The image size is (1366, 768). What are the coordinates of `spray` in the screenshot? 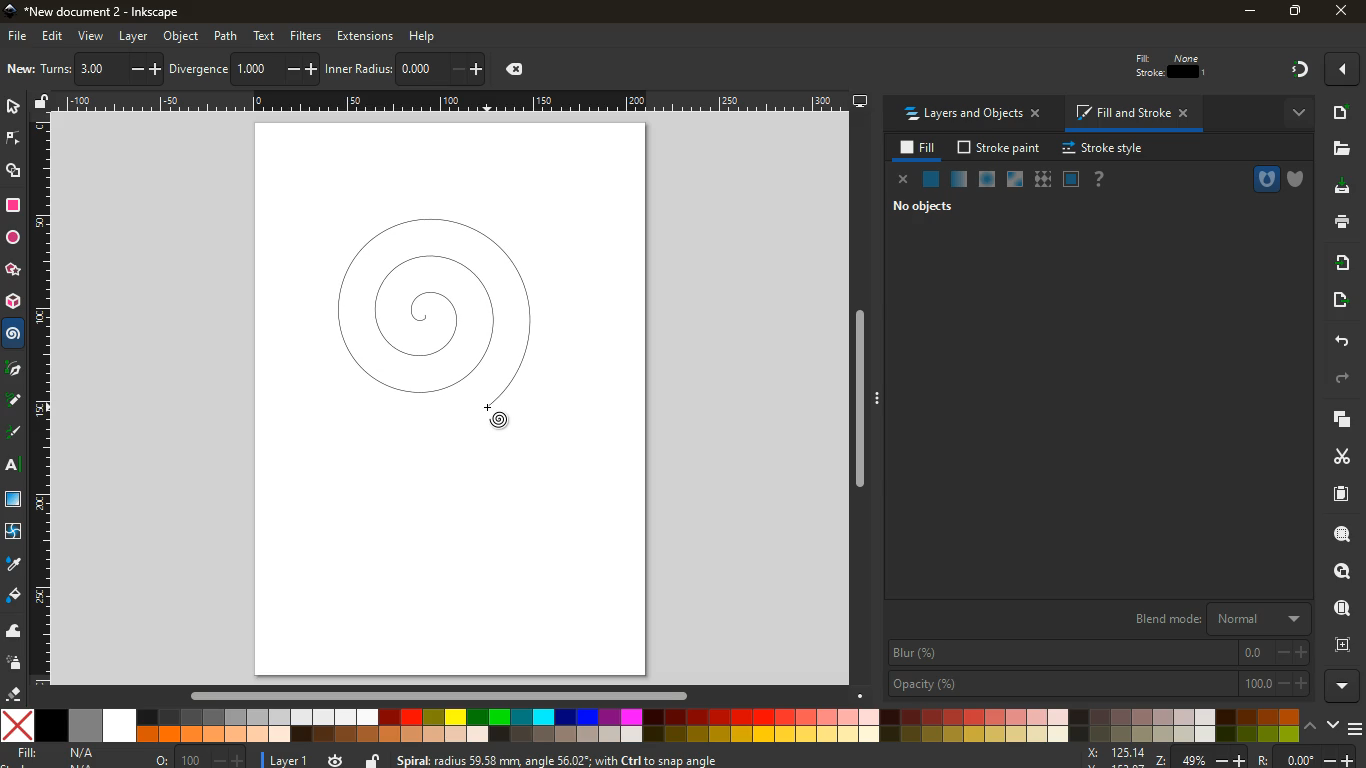 It's located at (13, 665).